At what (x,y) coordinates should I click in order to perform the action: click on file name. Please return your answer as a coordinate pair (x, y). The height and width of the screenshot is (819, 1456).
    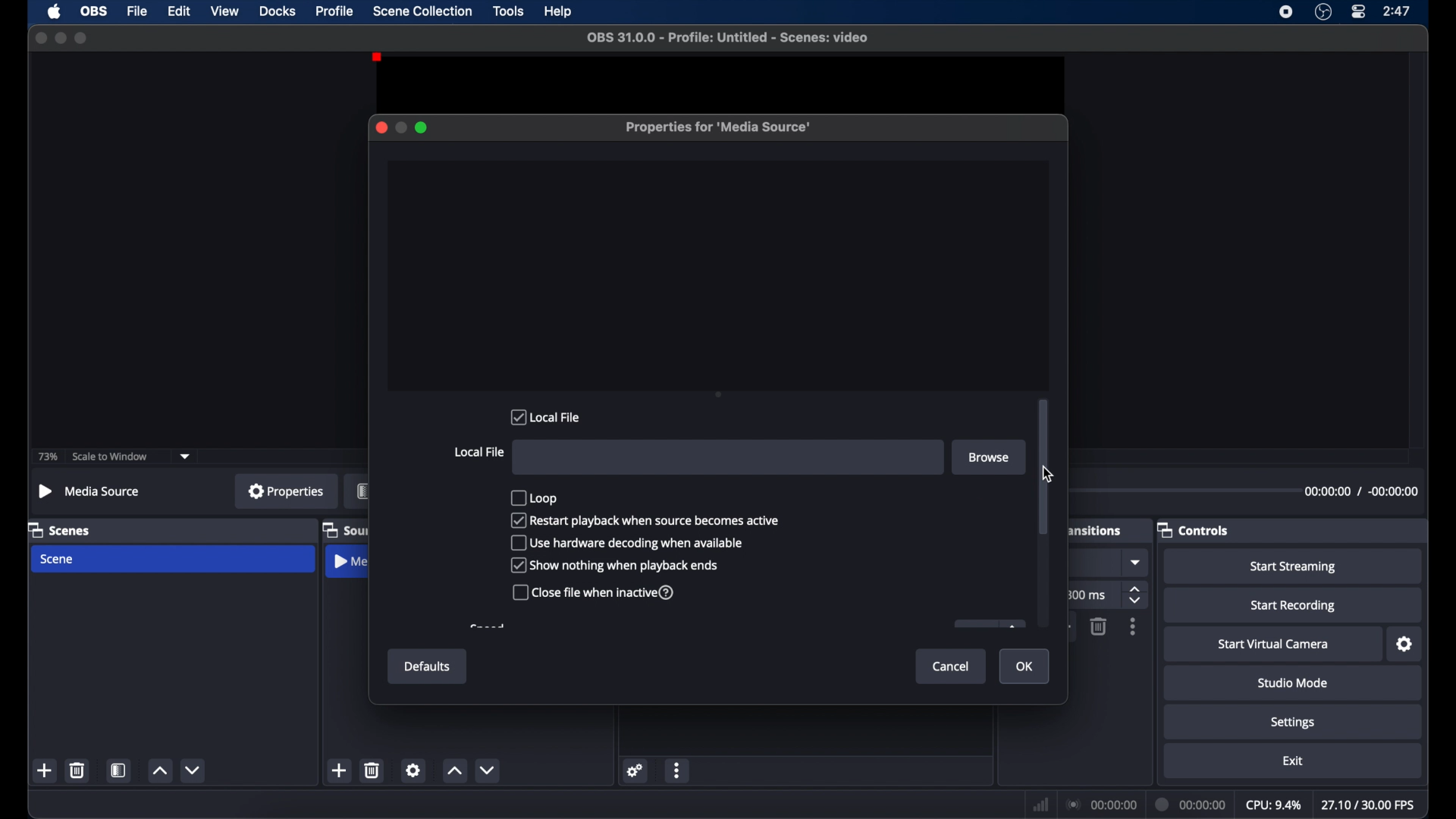
    Looking at the image, I should click on (728, 38).